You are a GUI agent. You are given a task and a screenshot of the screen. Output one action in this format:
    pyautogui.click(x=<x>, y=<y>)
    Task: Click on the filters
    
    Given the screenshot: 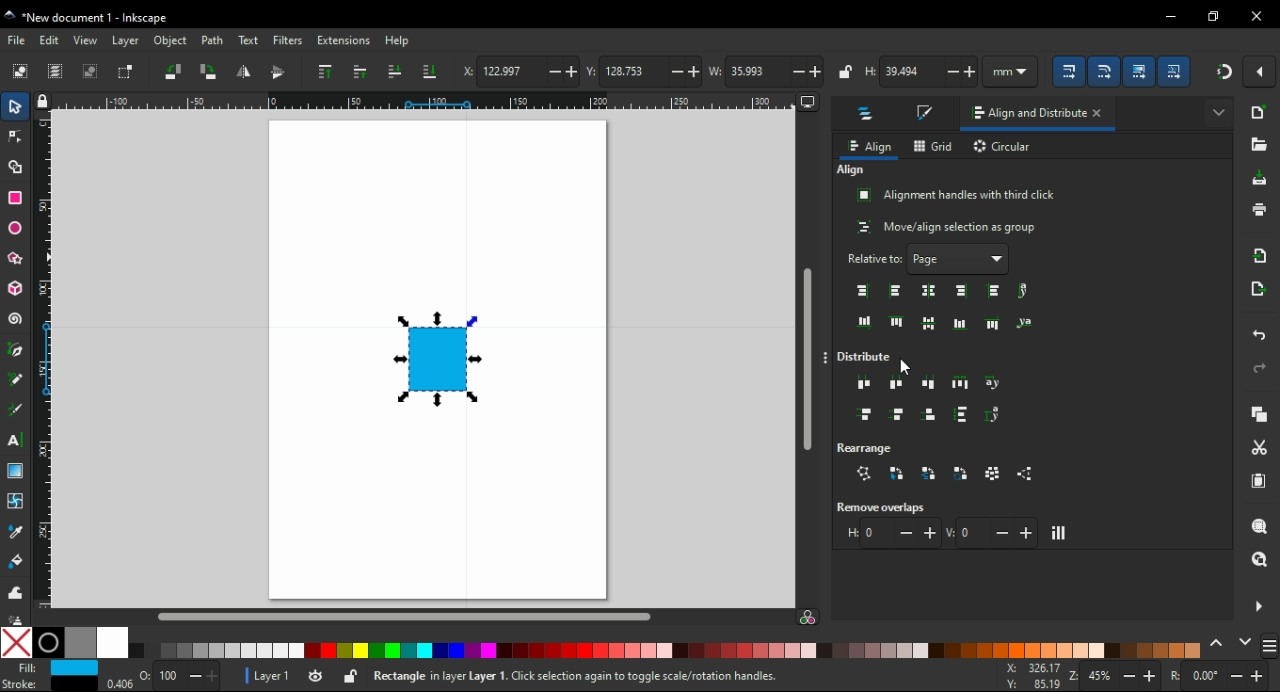 What is the action you would take?
    pyautogui.click(x=288, y=40)
    